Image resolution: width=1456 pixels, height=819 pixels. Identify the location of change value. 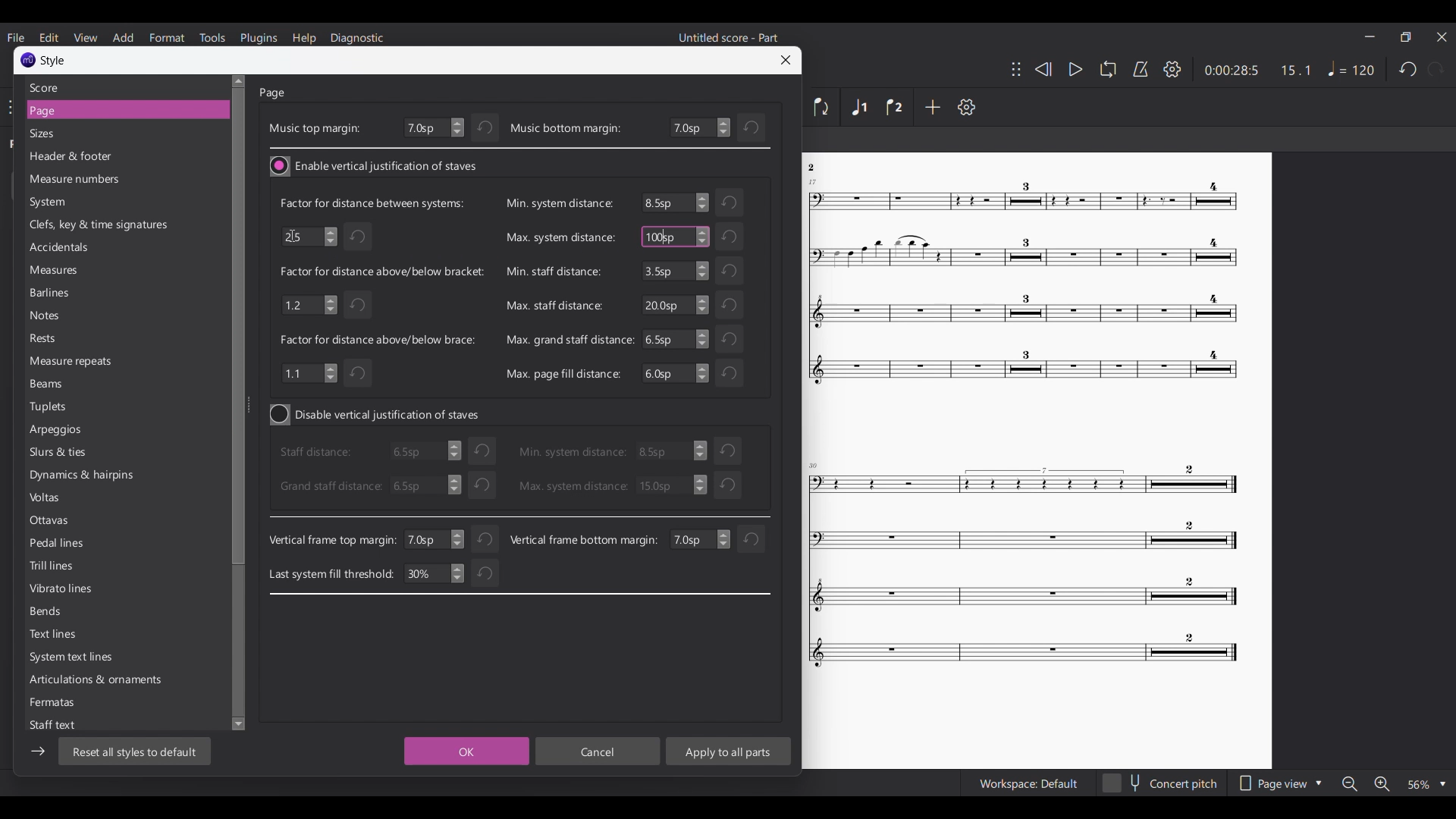
(699, 539).